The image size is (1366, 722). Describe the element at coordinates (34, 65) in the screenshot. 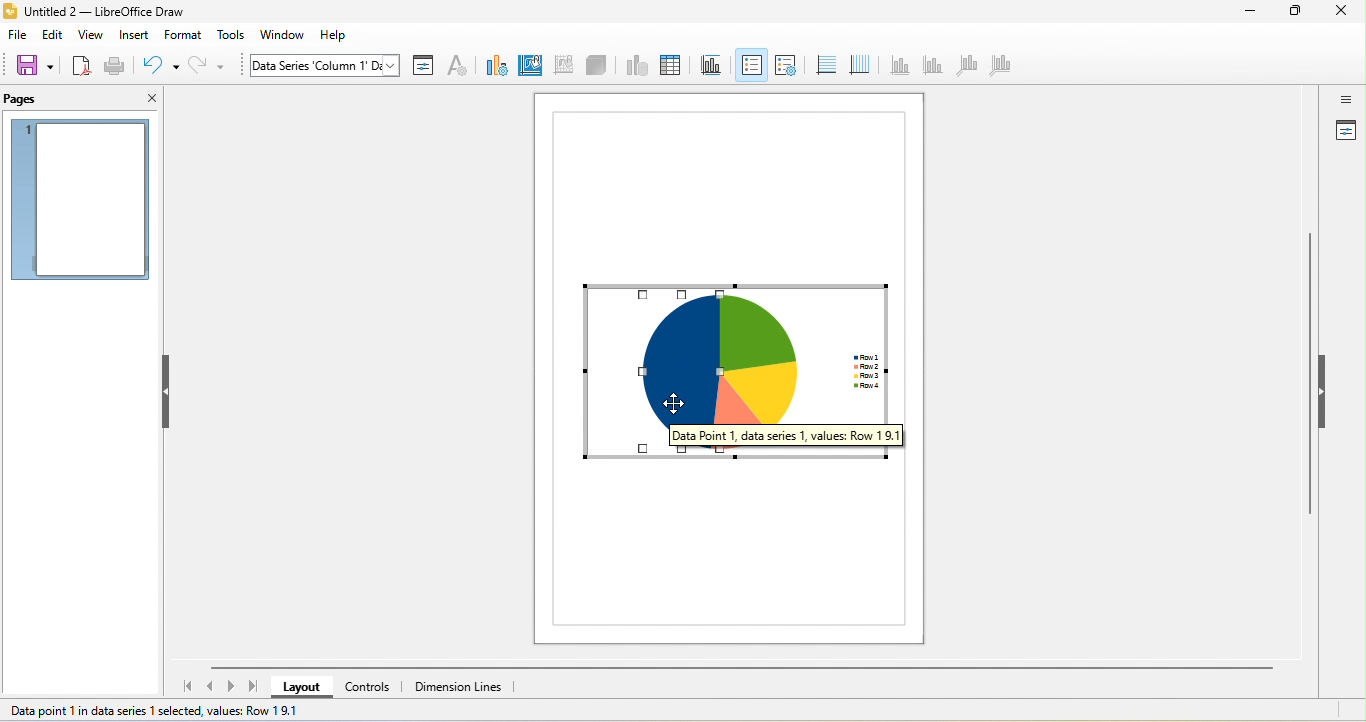

I see `save` at that location.